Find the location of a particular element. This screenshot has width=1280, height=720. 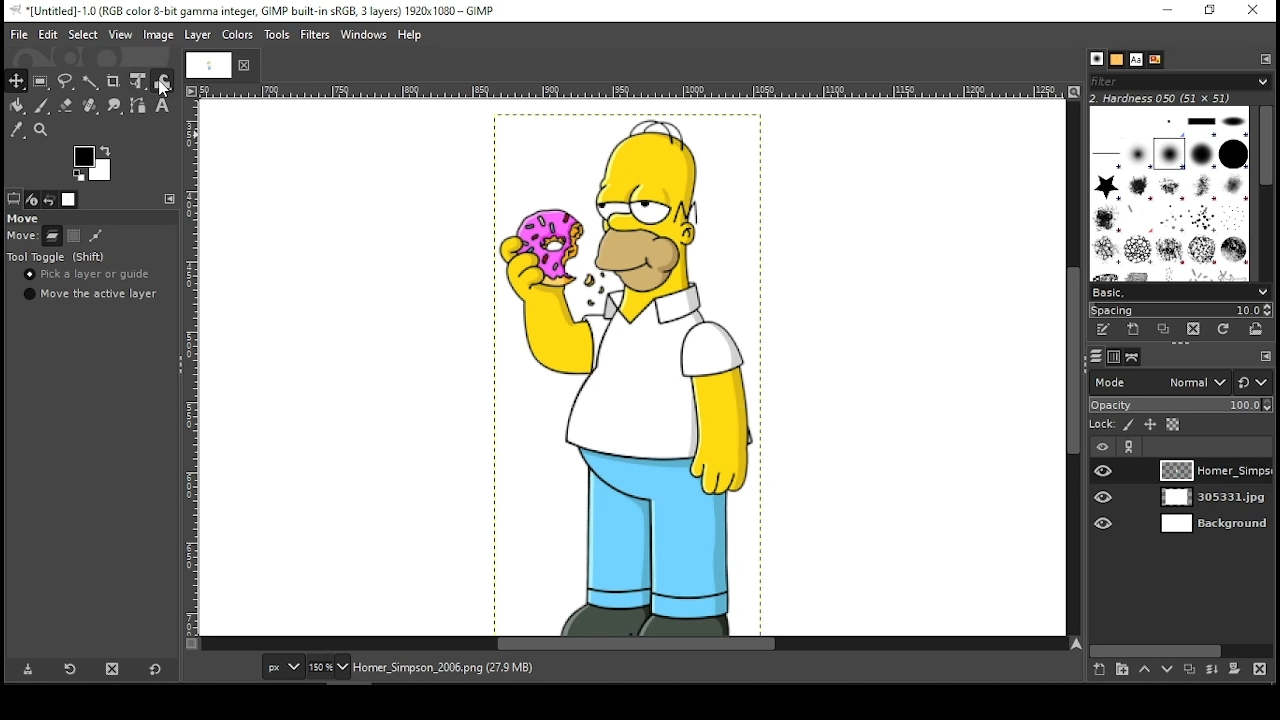

save tool preset is located at coordinates (27, 669).